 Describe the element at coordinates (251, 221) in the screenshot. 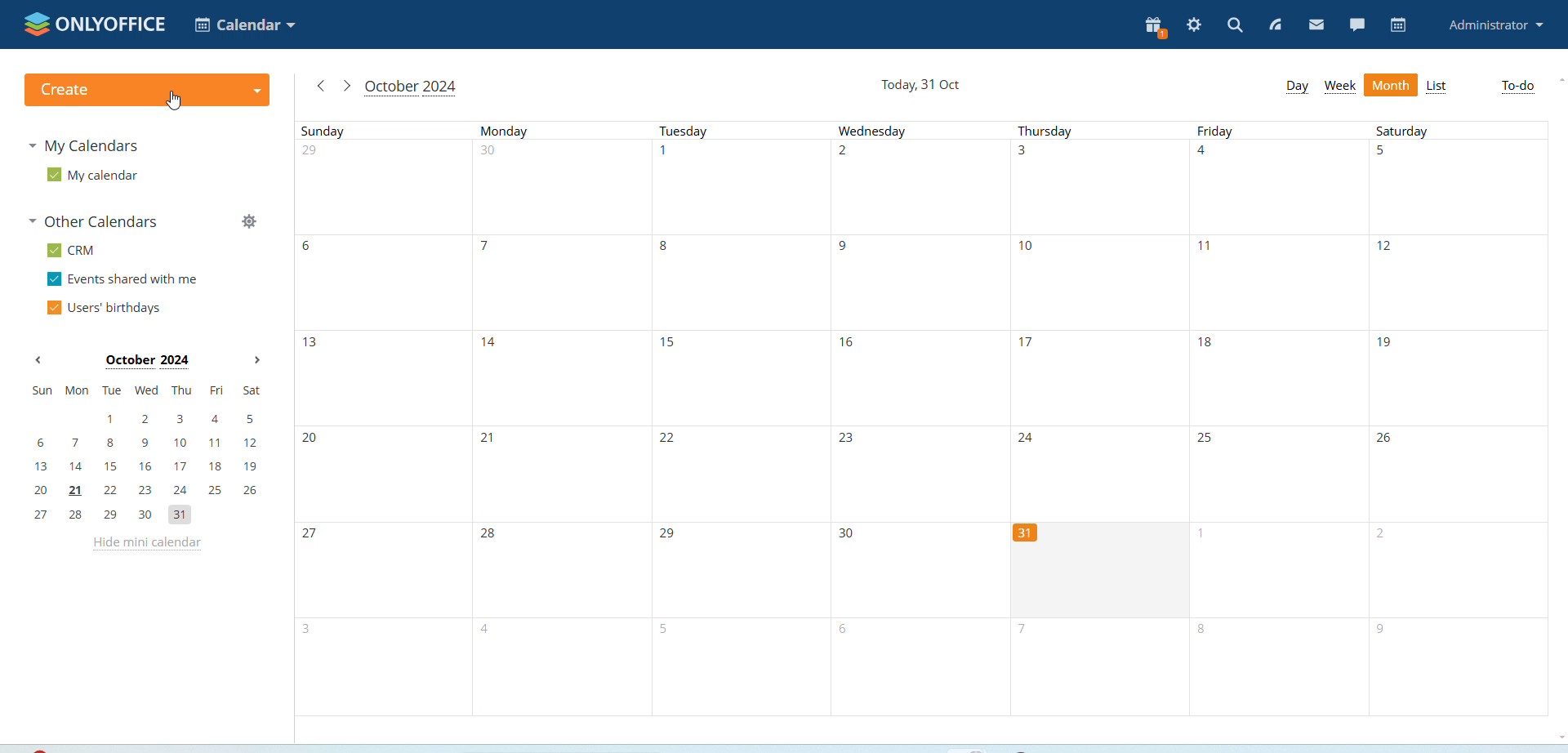

I see `manage` at that location.